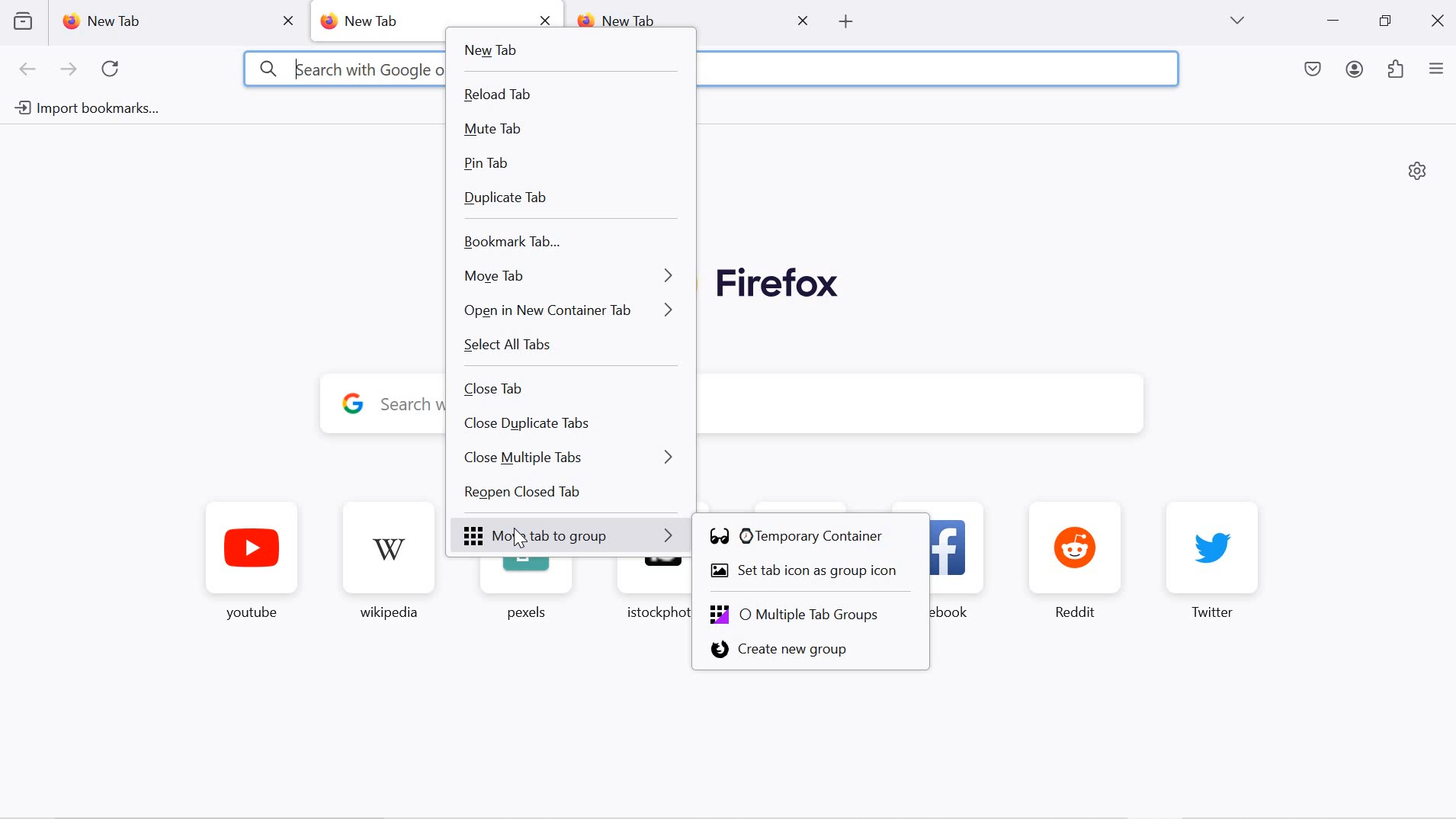  I want to click on import bookmarks, so click(84, 109).